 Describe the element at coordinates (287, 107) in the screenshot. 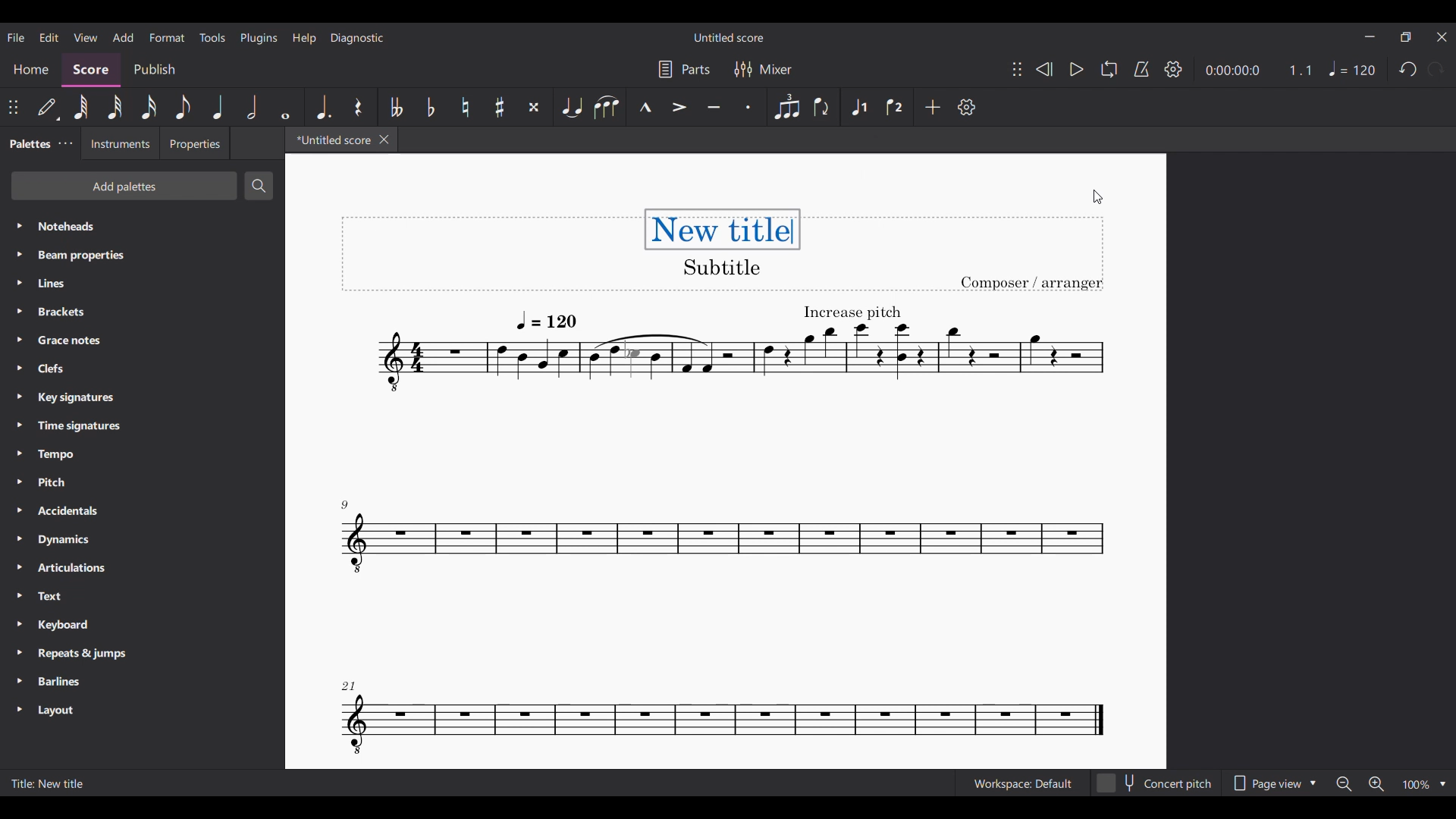

I see `Whole note` at that location.